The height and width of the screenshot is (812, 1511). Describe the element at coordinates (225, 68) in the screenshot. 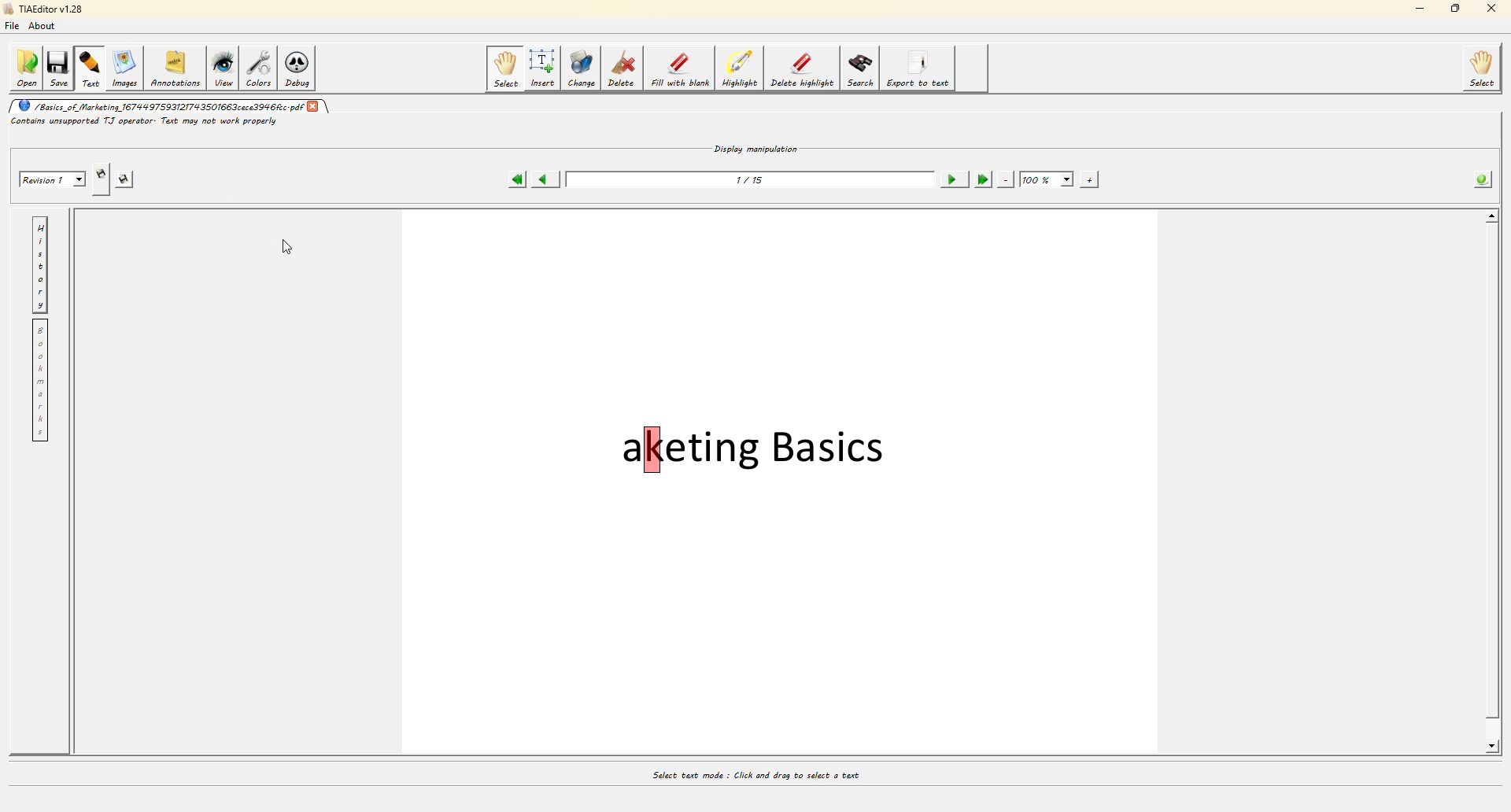

I see `view` at that location.